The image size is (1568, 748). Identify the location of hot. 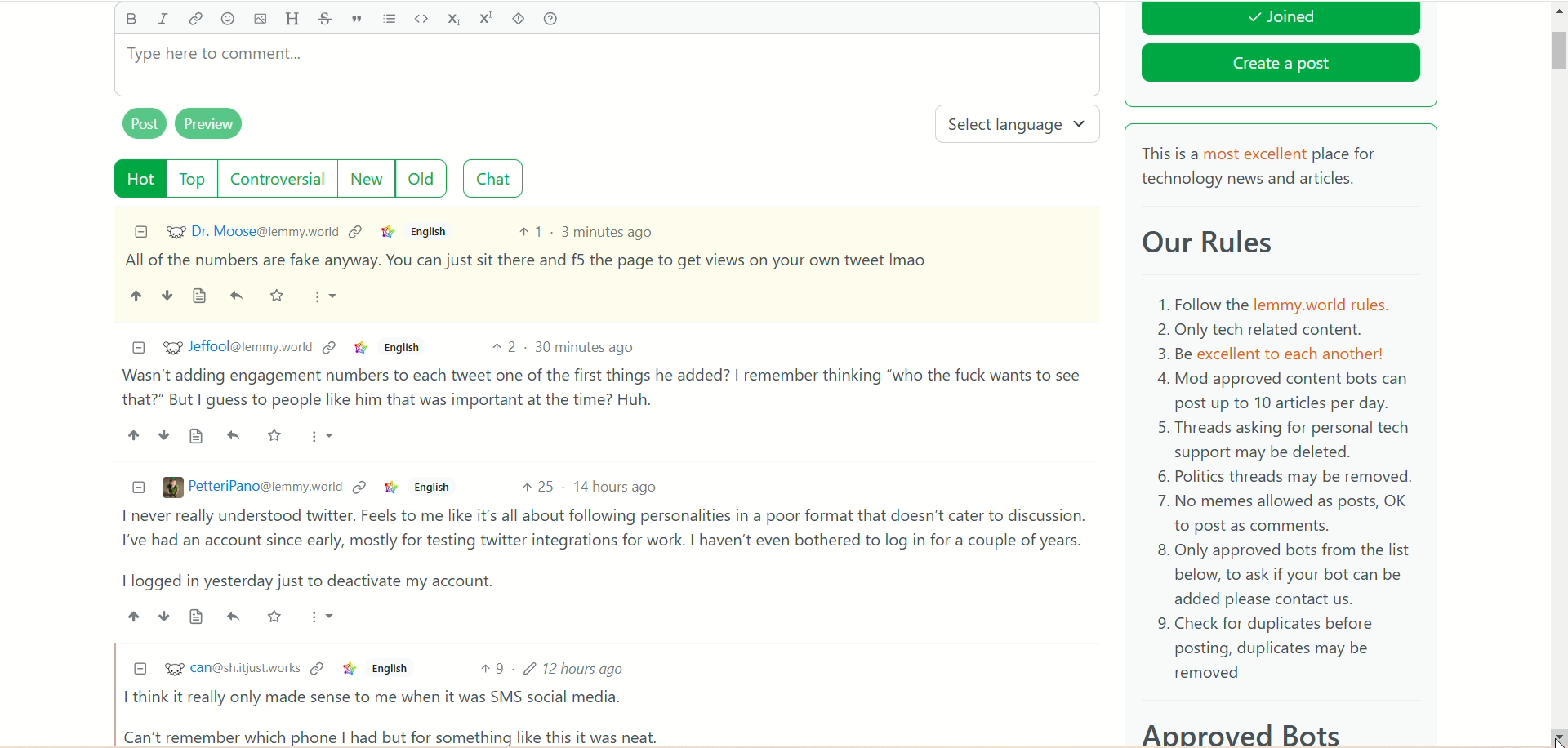
(141, 179).